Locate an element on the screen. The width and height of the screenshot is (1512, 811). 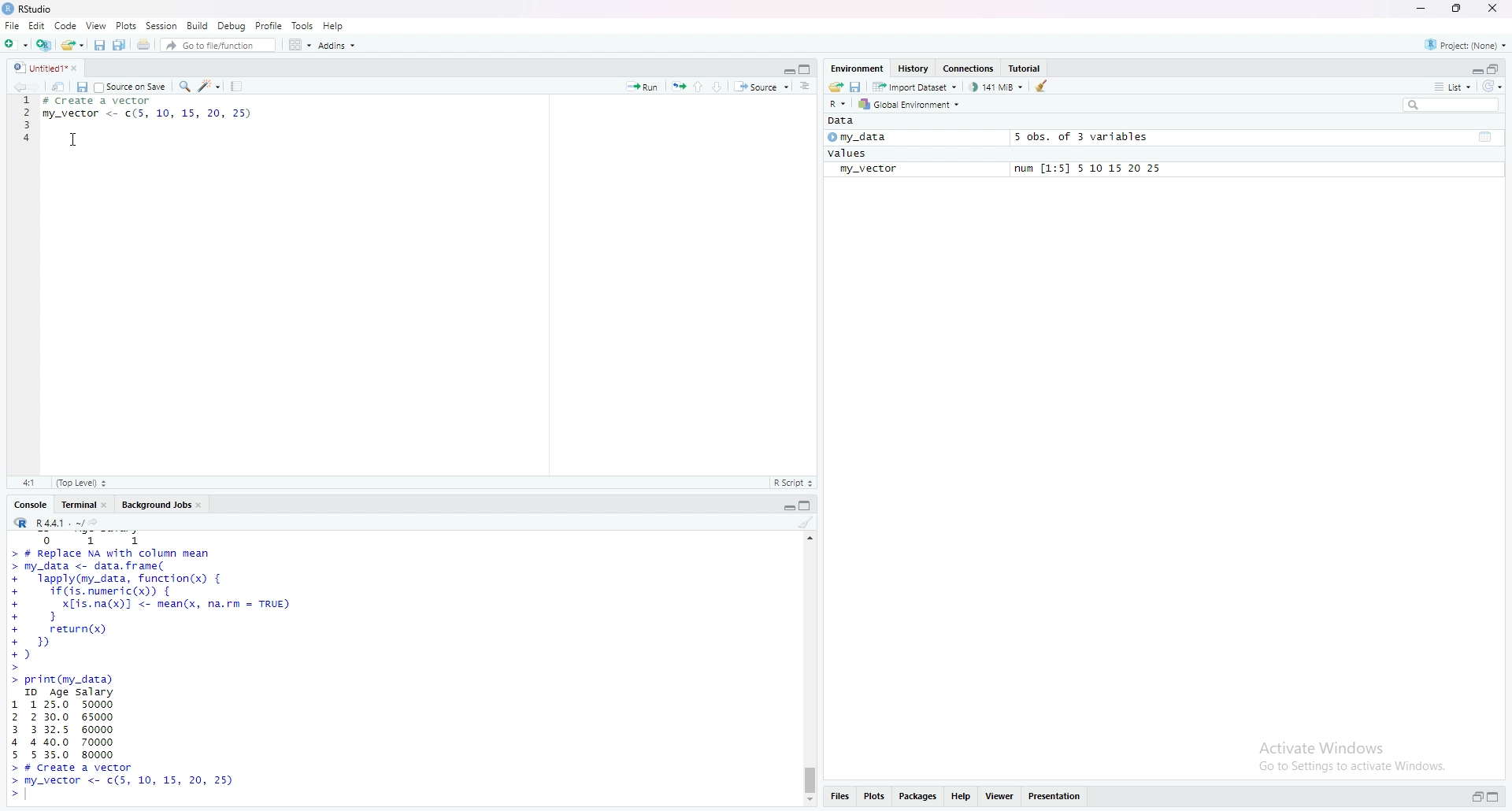
new file is located at coordinates (16, 46).